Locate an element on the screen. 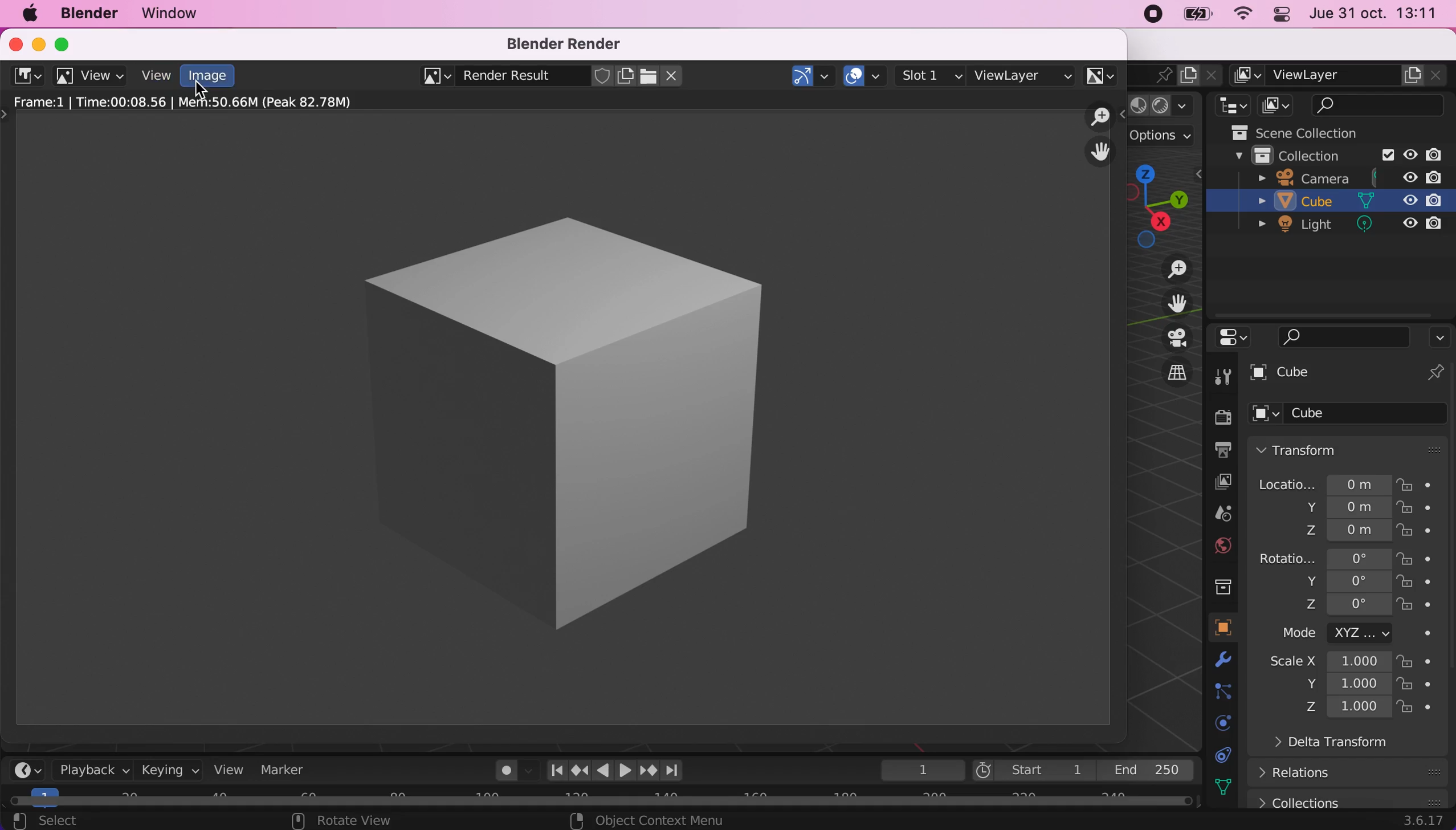 Image resolution: width=1456 pixels, height=830 pixels. world is located at coordinates (1222, 546).